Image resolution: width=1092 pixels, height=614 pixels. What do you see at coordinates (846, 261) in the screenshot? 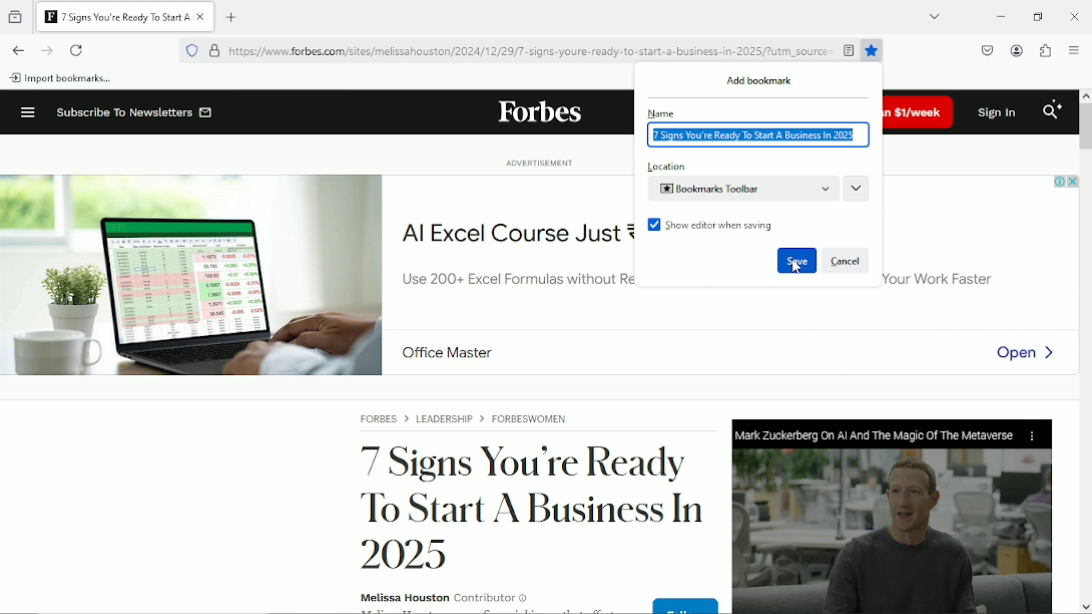
I see `cancel` at bounding box center [846, 261].